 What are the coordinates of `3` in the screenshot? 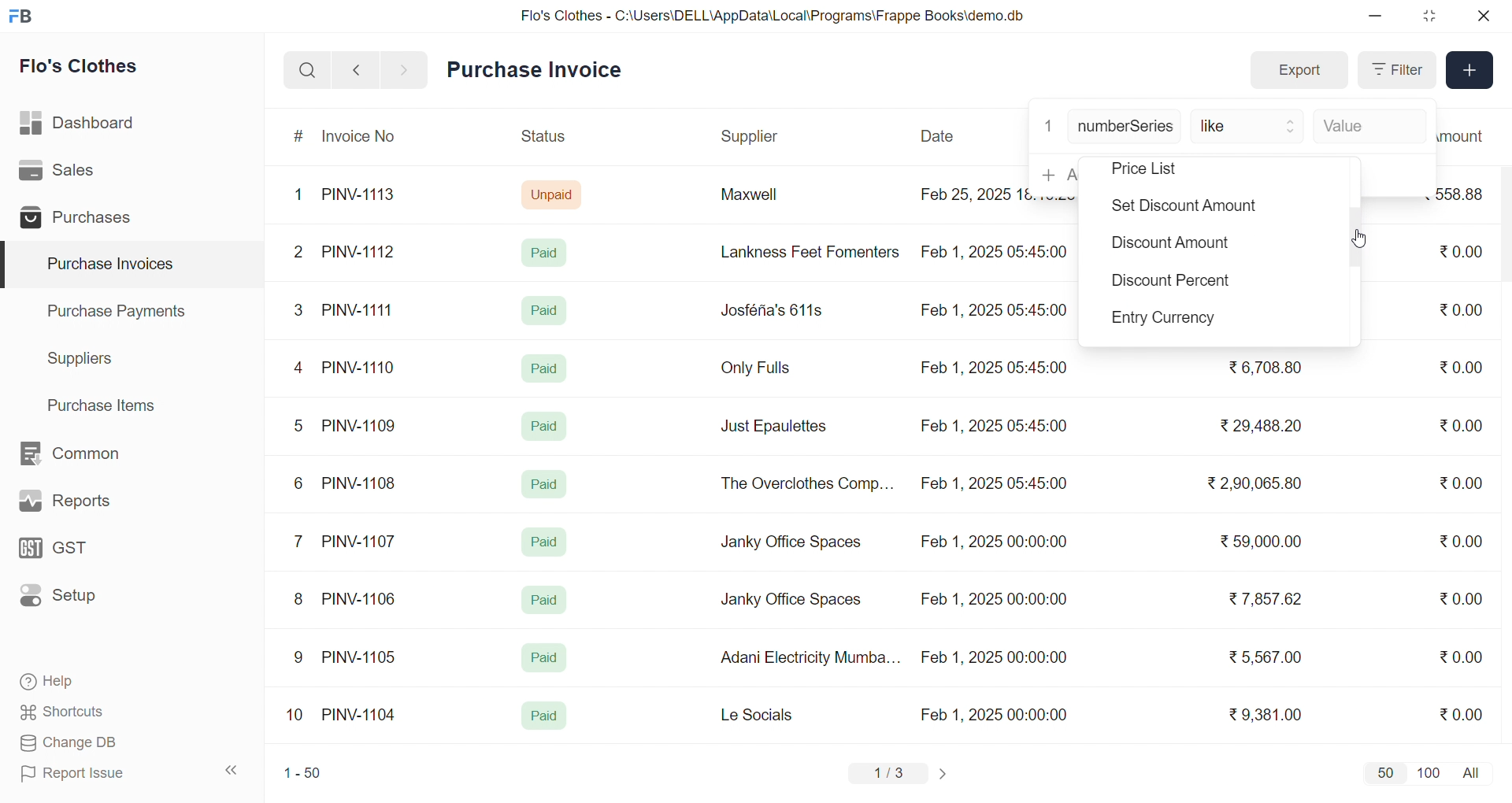 It's located at (298, 309).